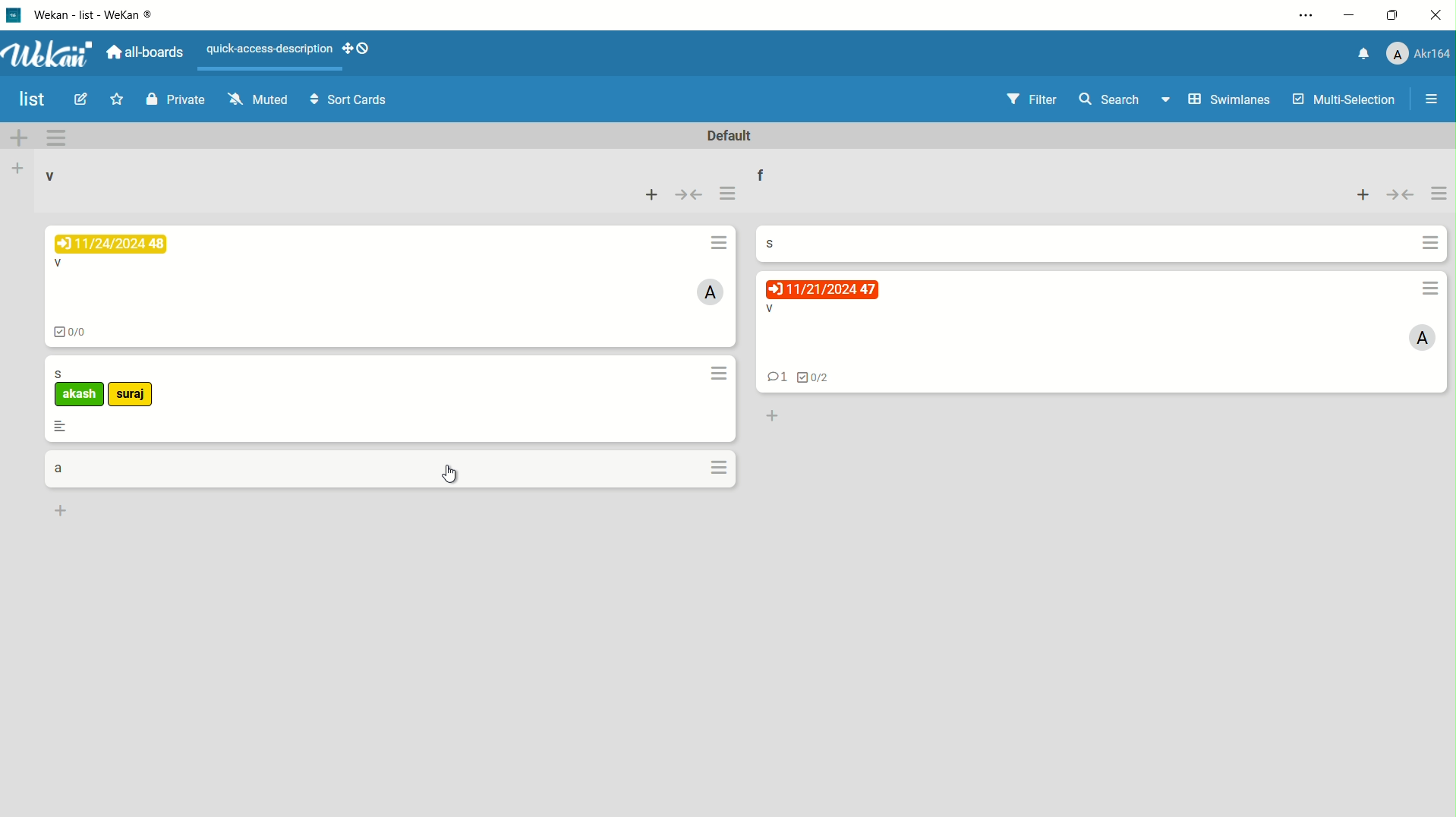 The height and width of the screenshot is (817, 1456). Describe the element at coordinates (15, 14) in the screenshot. I see `app icon` at that location.